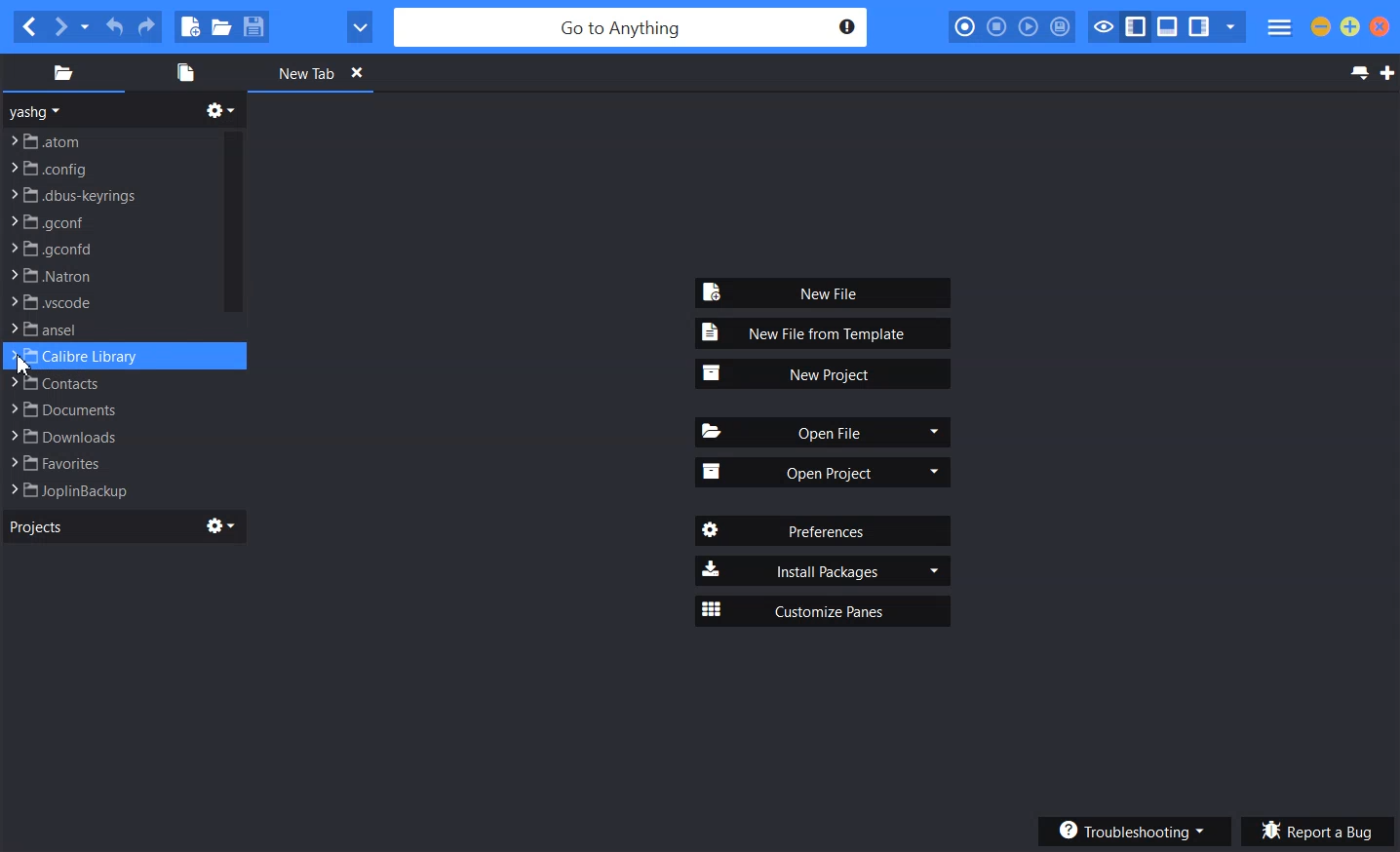 Image resolution: width=1400 pixels, height=852 pixels. Describe the element at coordinates (823, 610) in the screenshot. I see `Customize Panes` at that location.